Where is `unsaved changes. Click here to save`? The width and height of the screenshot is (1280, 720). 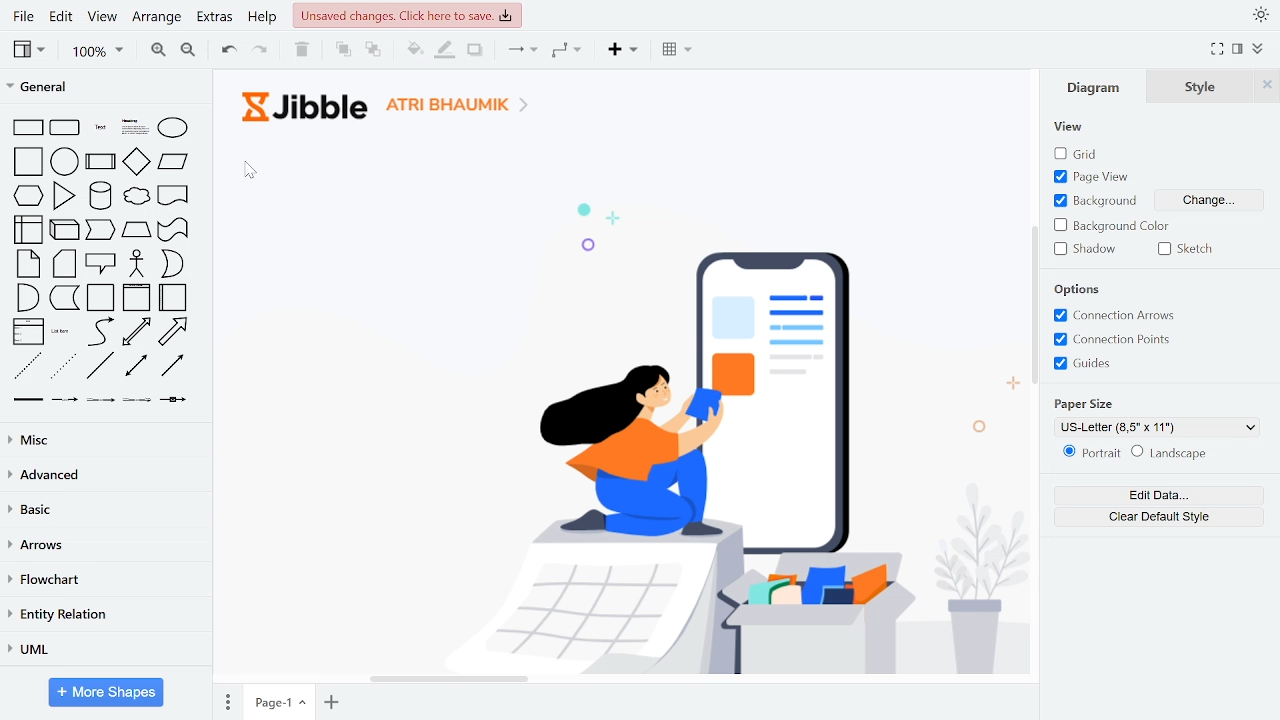
unsaved changes. Click here to save is located at coordinates (407, 15).